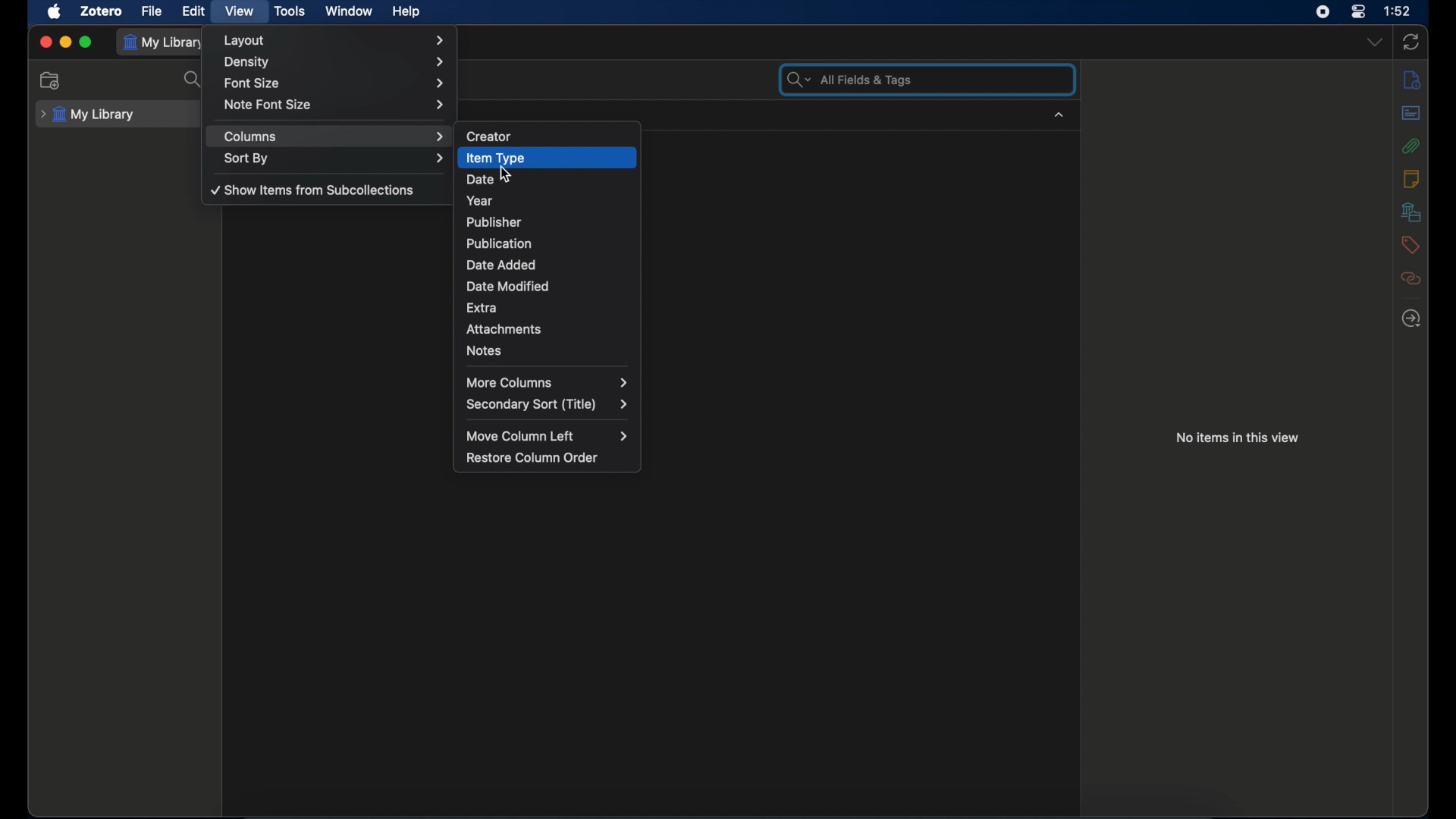 This screenshot has width=1456, height=819. Describe the element at coordinates (1059, 115) in the screenshot. I see `dropdown` at that location.